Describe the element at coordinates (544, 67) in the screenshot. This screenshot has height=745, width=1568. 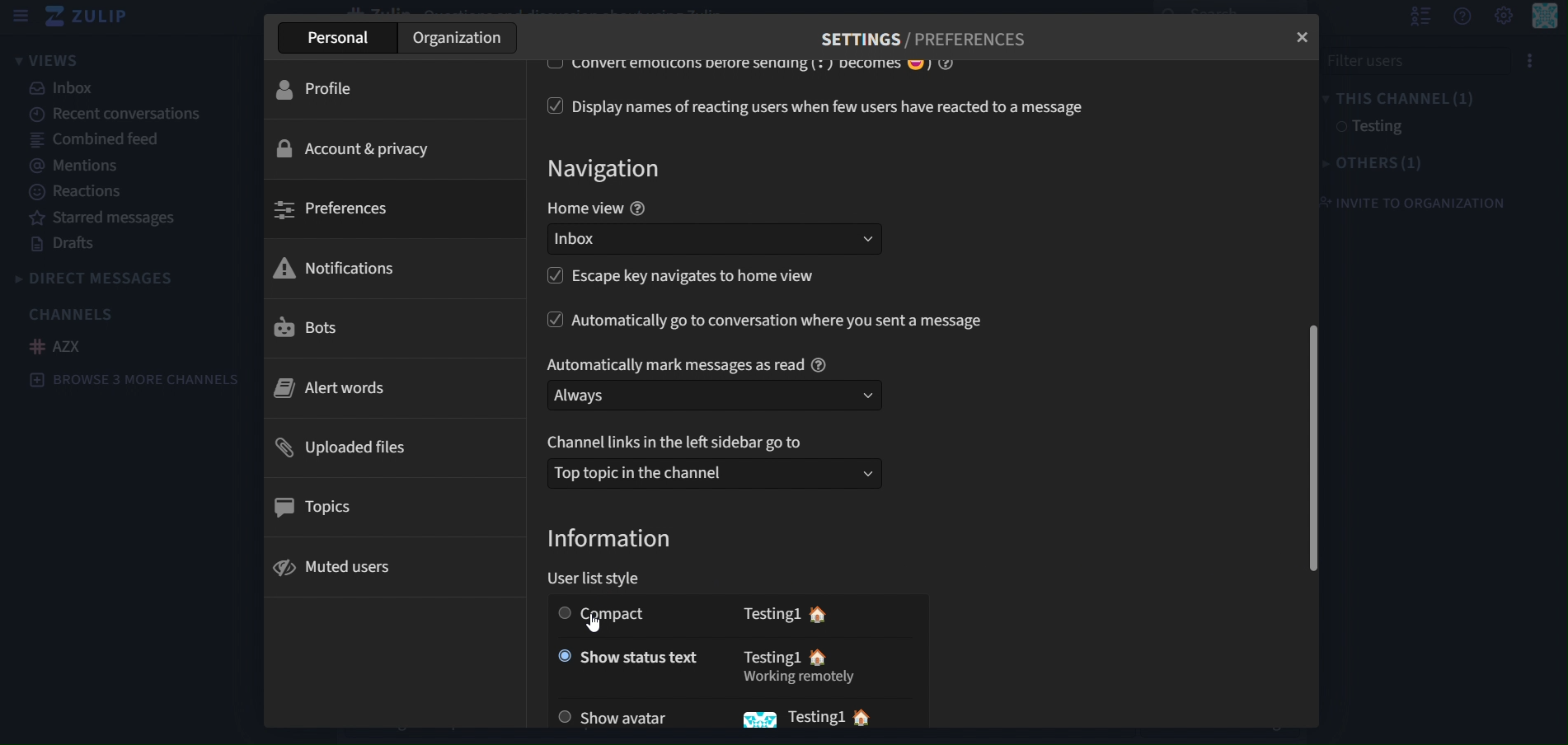
I see `check box` at that location.